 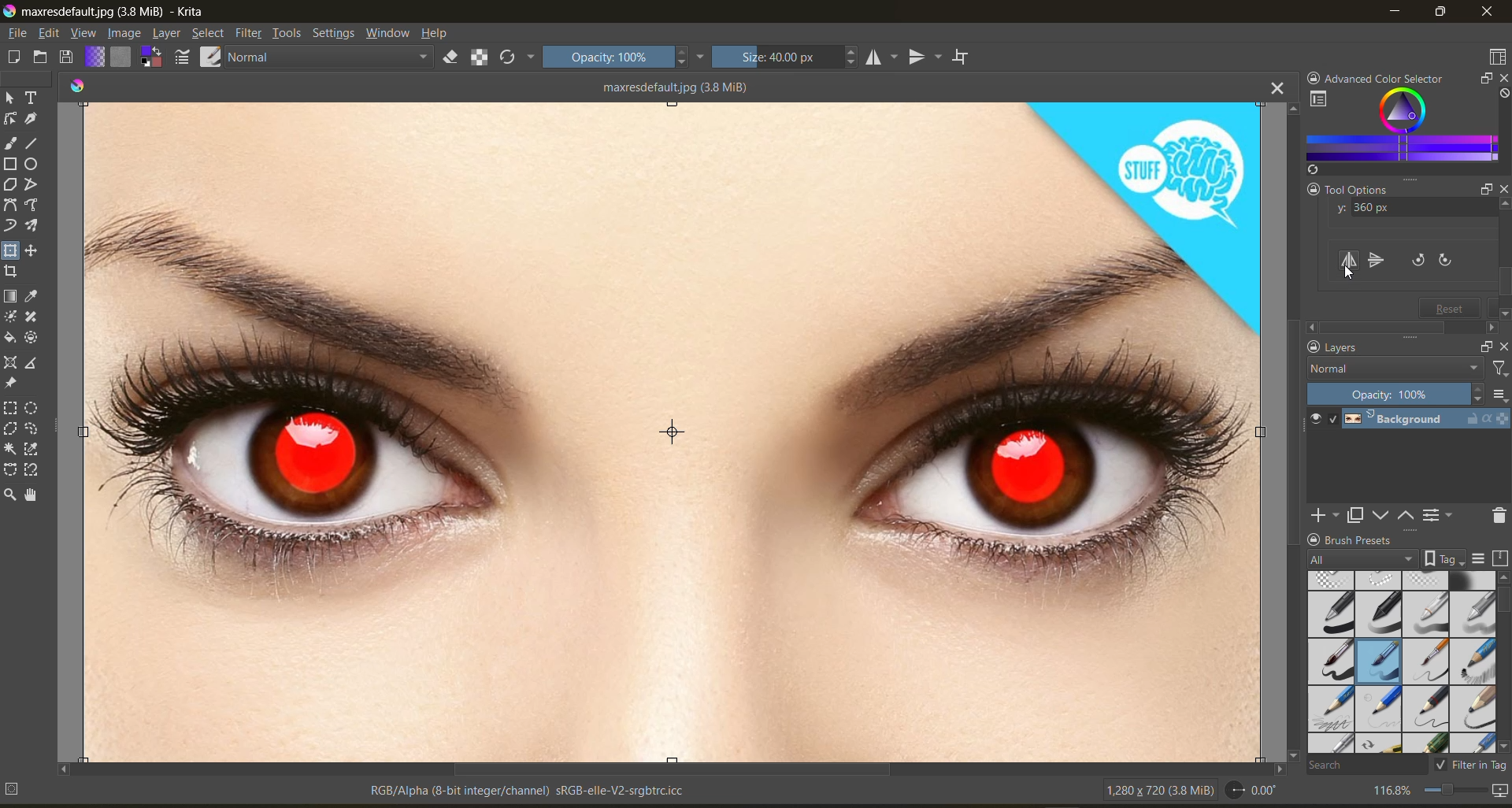 What do you see at coordinates (1368, 767) in the screenshot?
I see `search` at bounding box center [1368, 767].